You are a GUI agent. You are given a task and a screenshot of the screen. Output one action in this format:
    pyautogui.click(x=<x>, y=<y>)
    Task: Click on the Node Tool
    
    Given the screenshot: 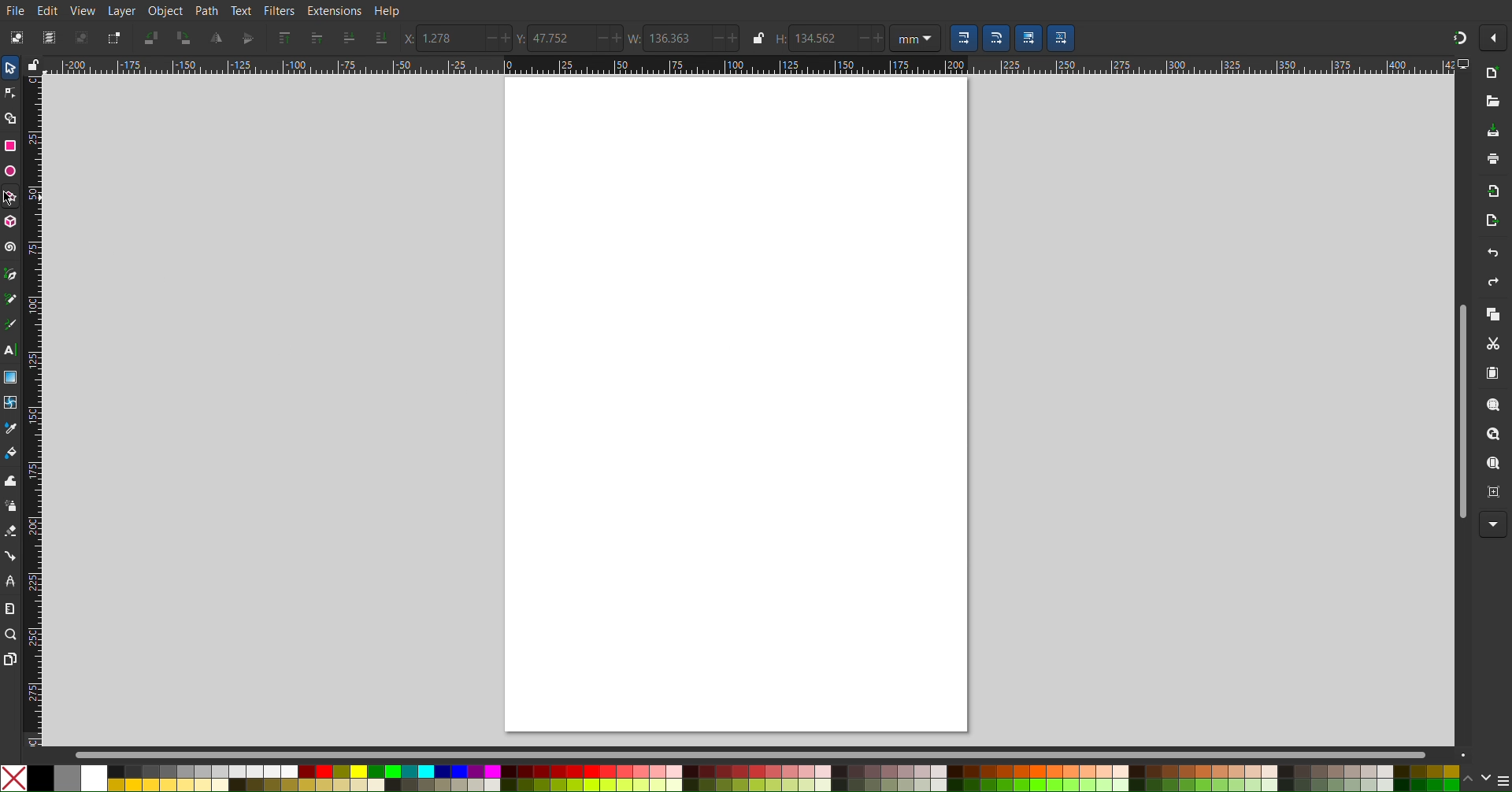 What is the action you would take?
    pyautogui.click(x=10, y=93)
    